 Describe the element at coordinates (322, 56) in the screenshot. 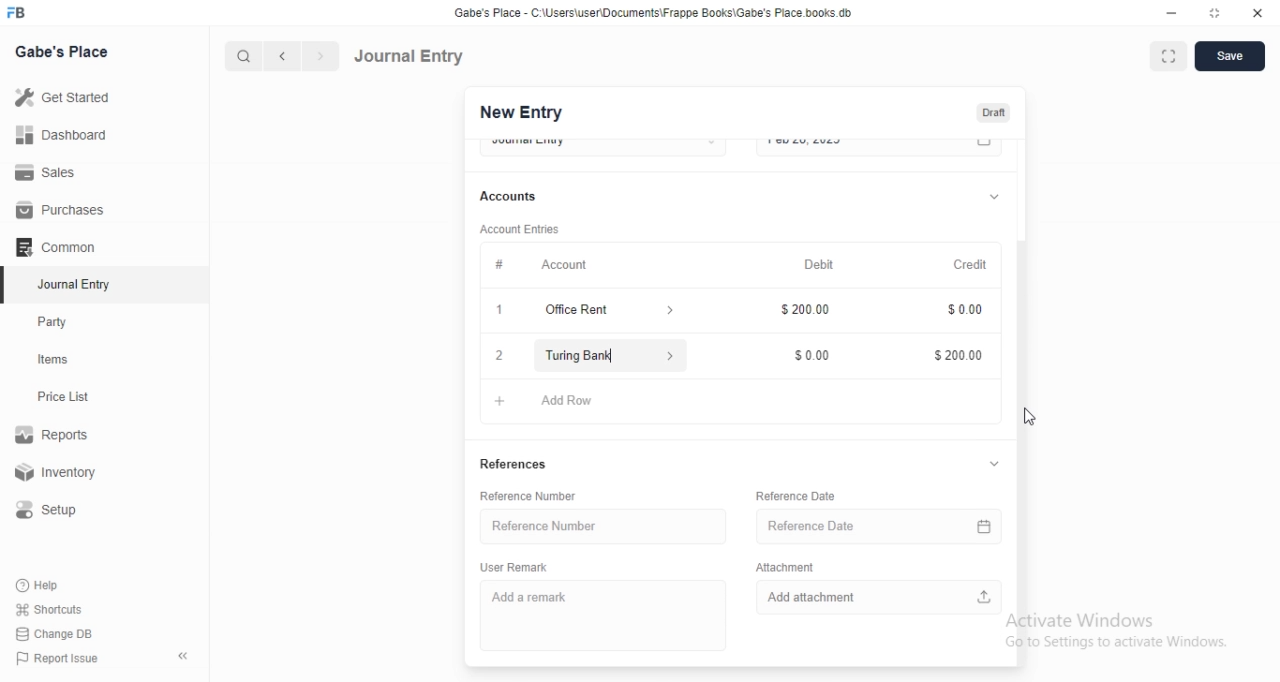

I see `forward` at that location.